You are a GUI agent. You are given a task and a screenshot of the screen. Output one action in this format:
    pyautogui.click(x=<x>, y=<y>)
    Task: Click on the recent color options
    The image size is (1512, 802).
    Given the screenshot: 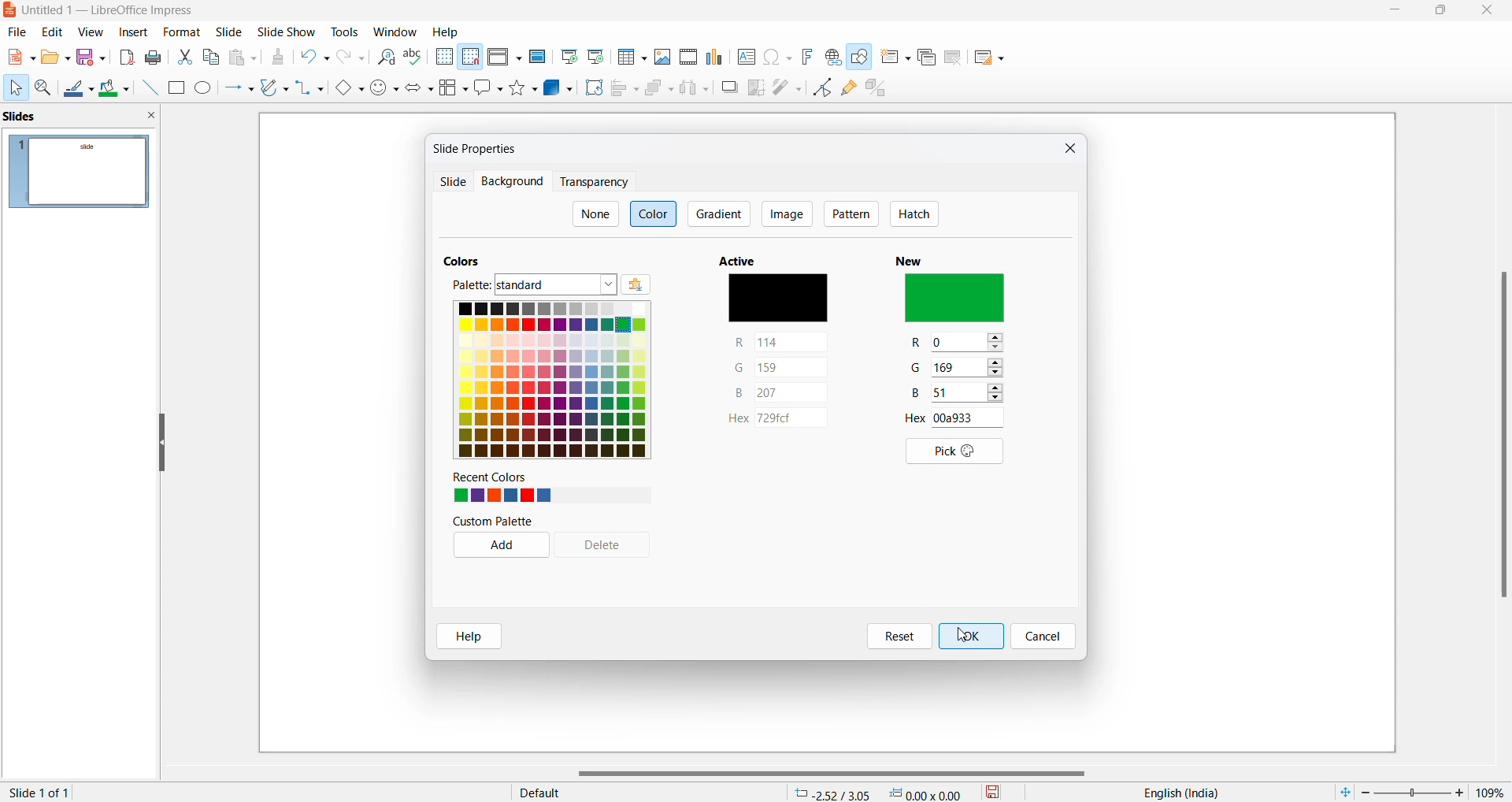 What is the action you would take?
    pyautogui.click(x=502, y=496)
    